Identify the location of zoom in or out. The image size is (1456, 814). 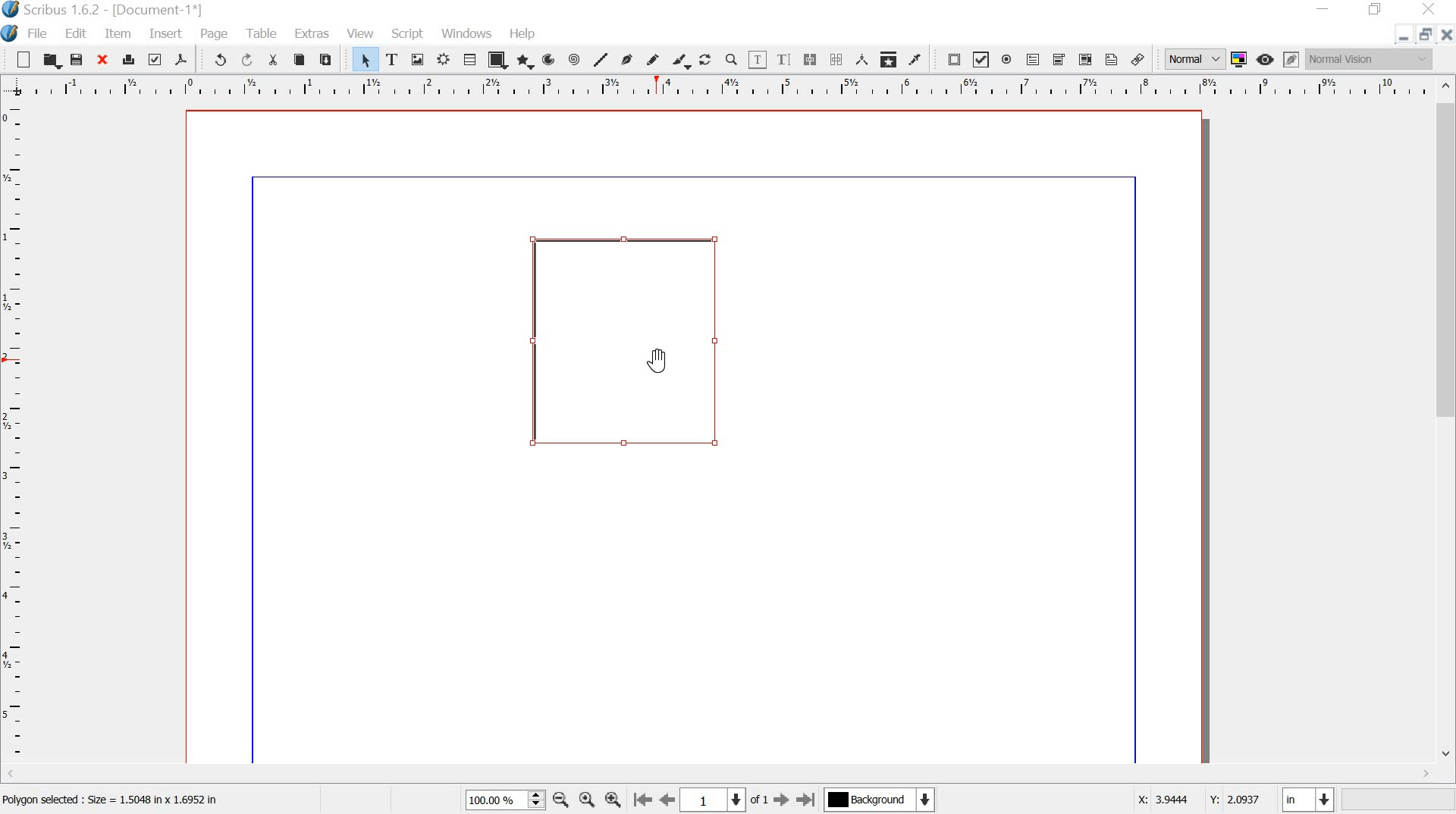
(731, 61).